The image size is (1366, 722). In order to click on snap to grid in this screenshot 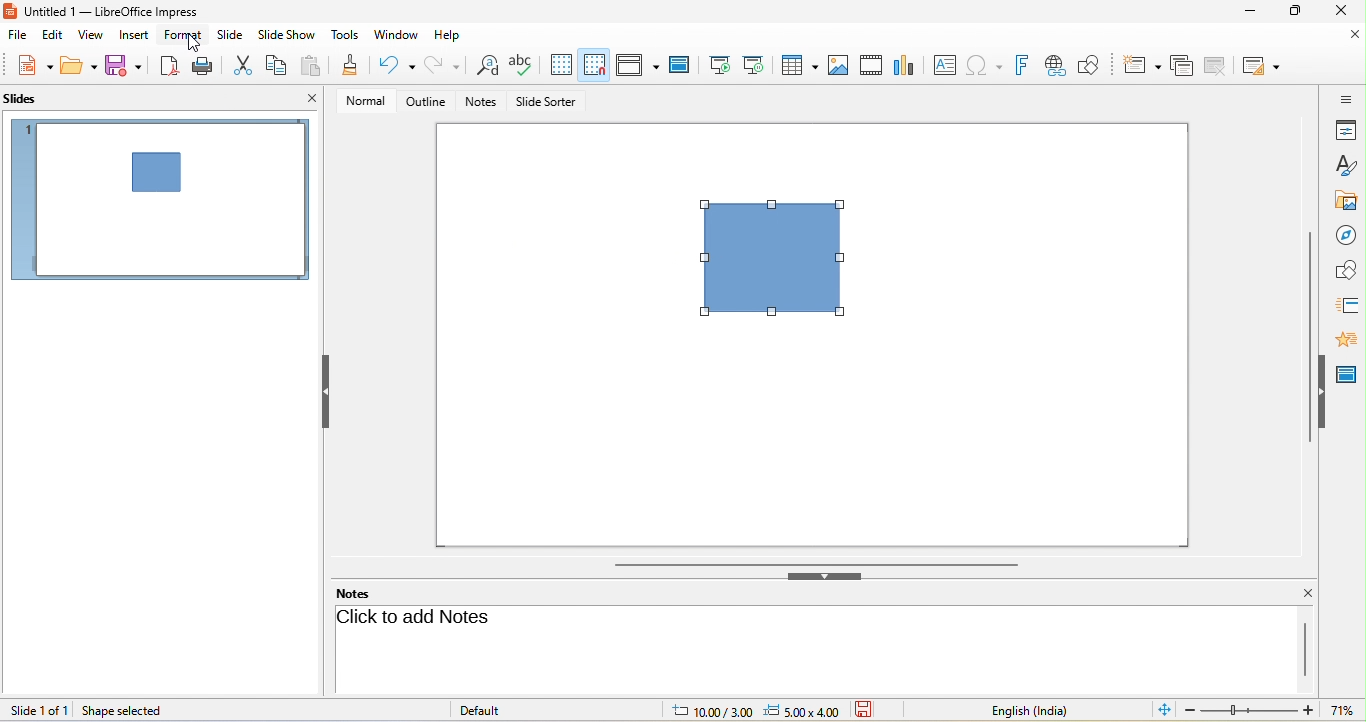, I will do `click(594, 64)`.